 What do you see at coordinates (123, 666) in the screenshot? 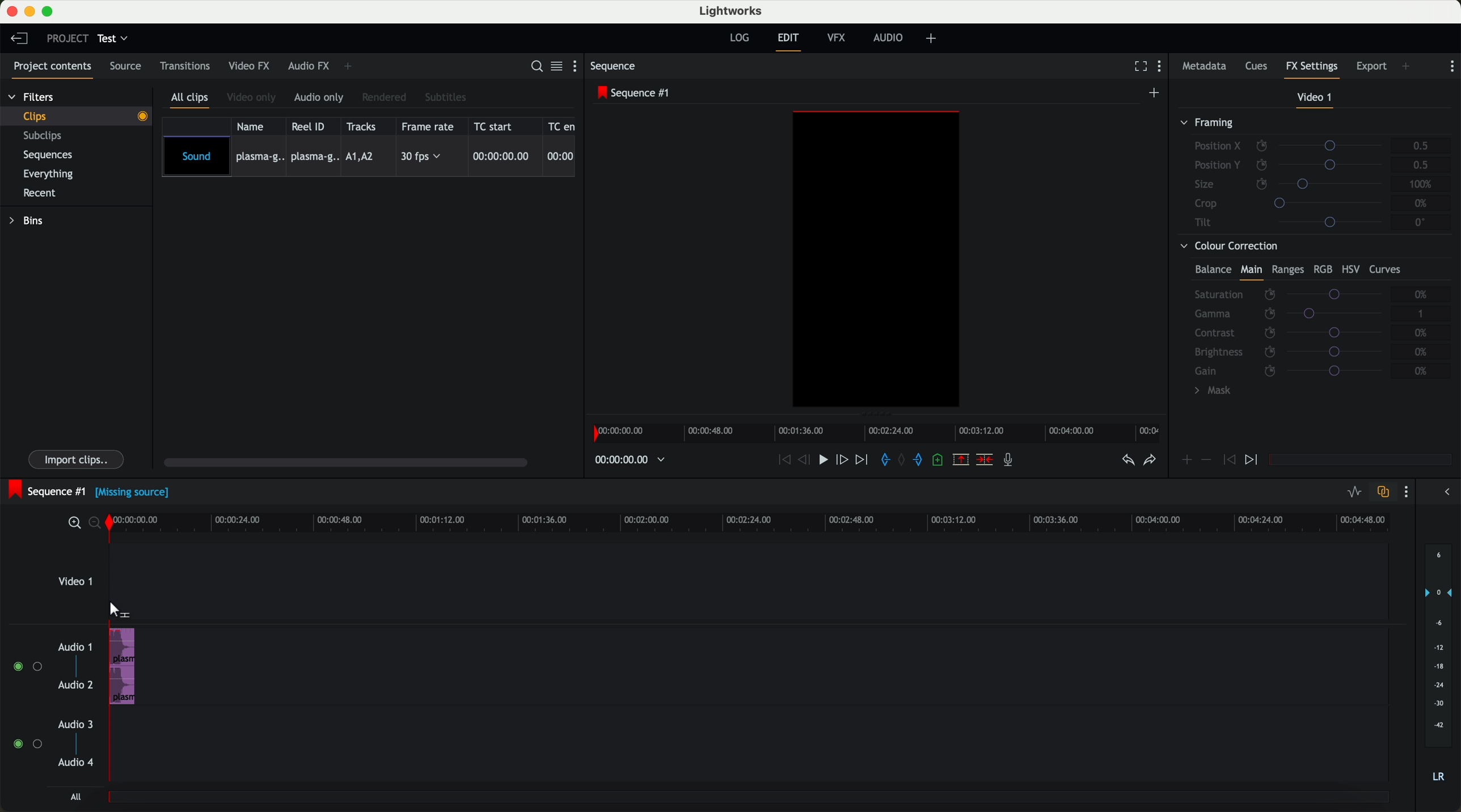
I see `audio` at bounding box center [123, 666].